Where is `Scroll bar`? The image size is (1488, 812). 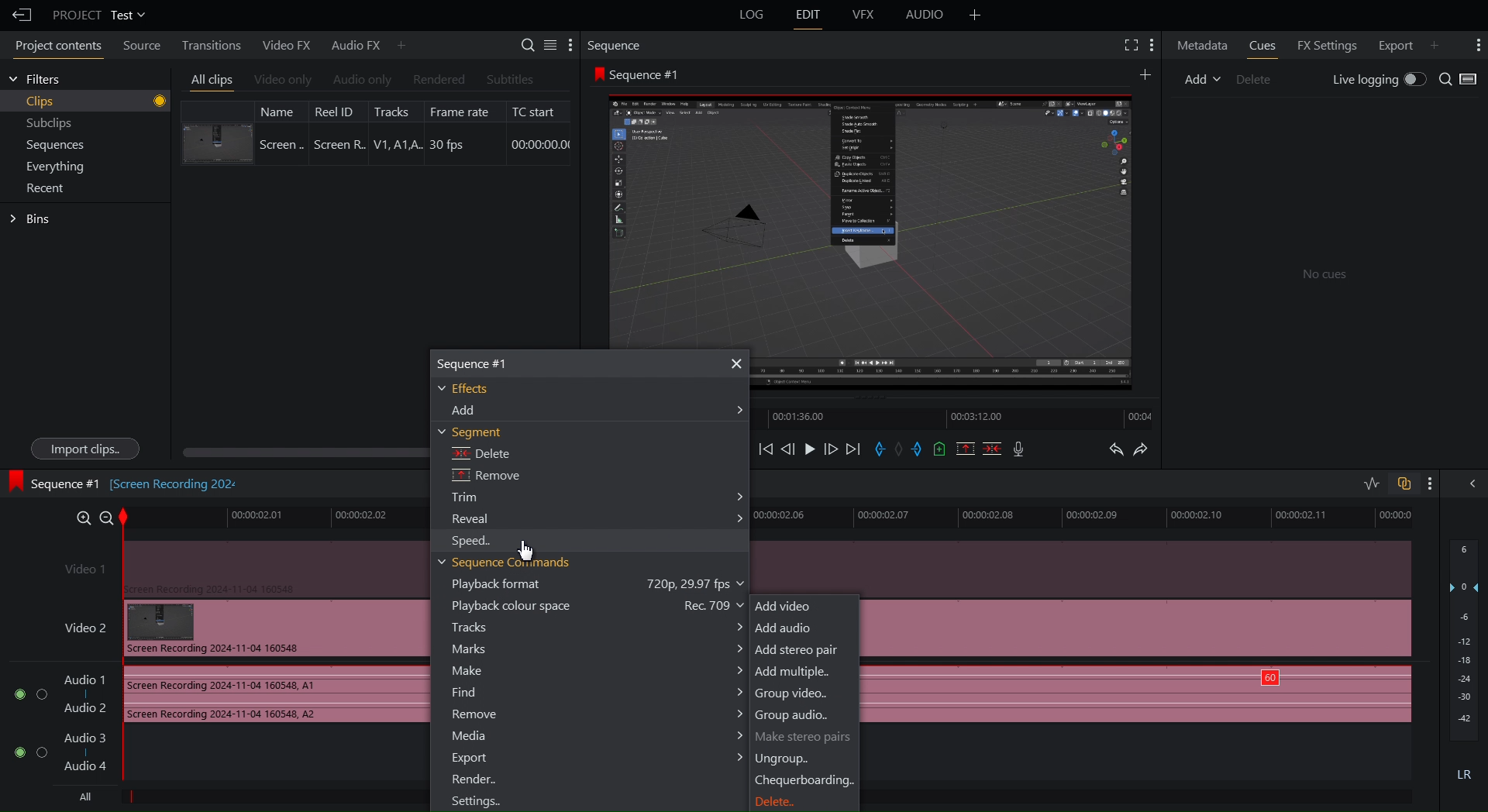 Scroll bar is located at coordinates (291, 454).